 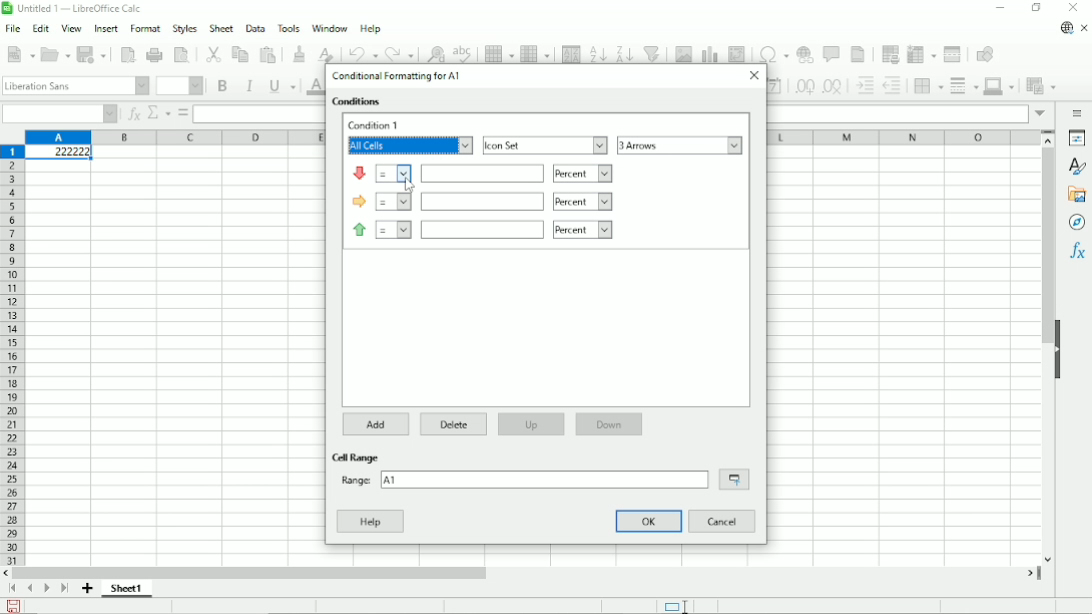 What do you see at coordinates (1077, 194) in the screenshot?
I see `Gallery` at bounding box center [1077, 194].